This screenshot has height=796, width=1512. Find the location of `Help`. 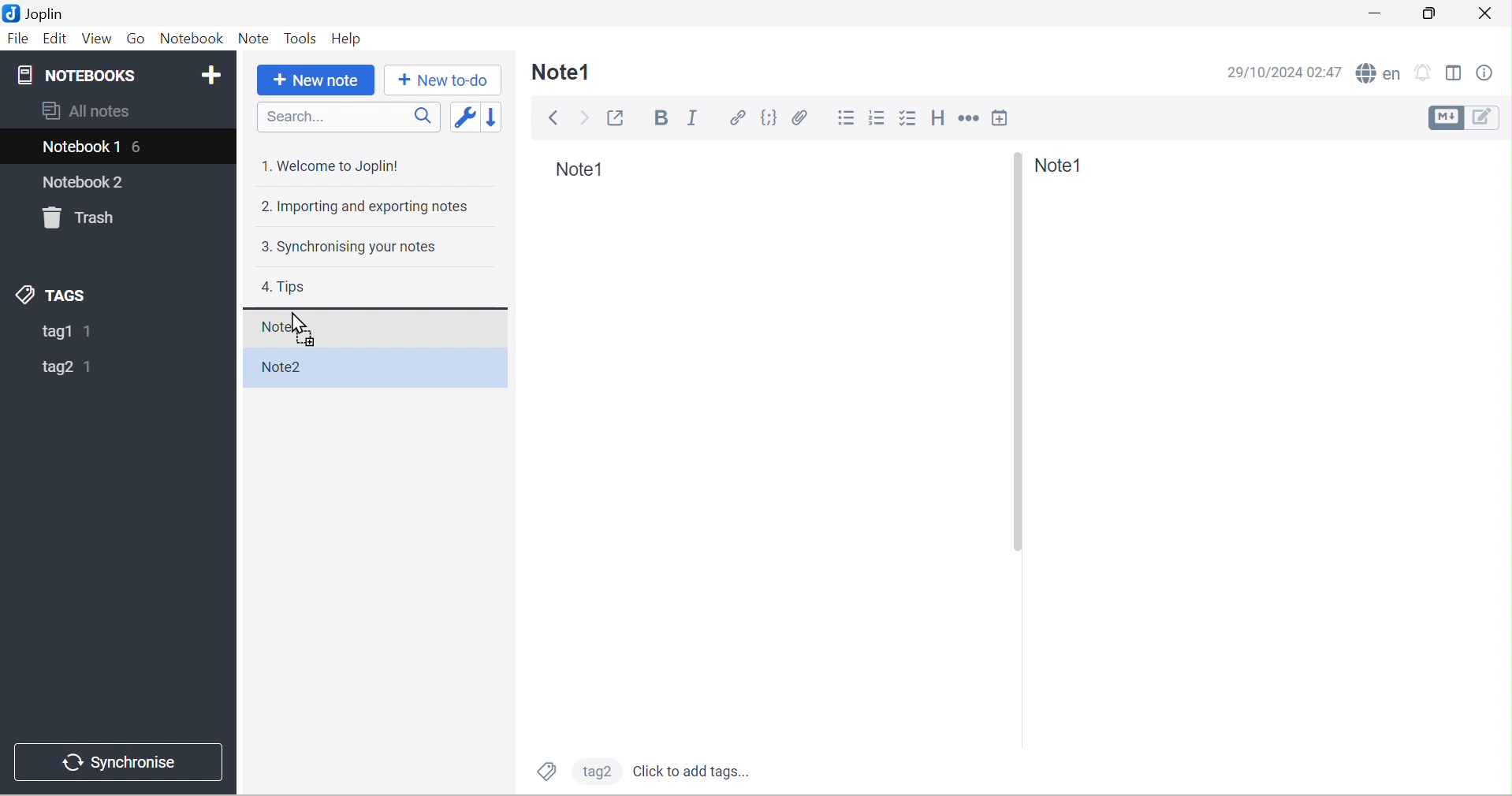

Help is located at coordinates (352, 40).